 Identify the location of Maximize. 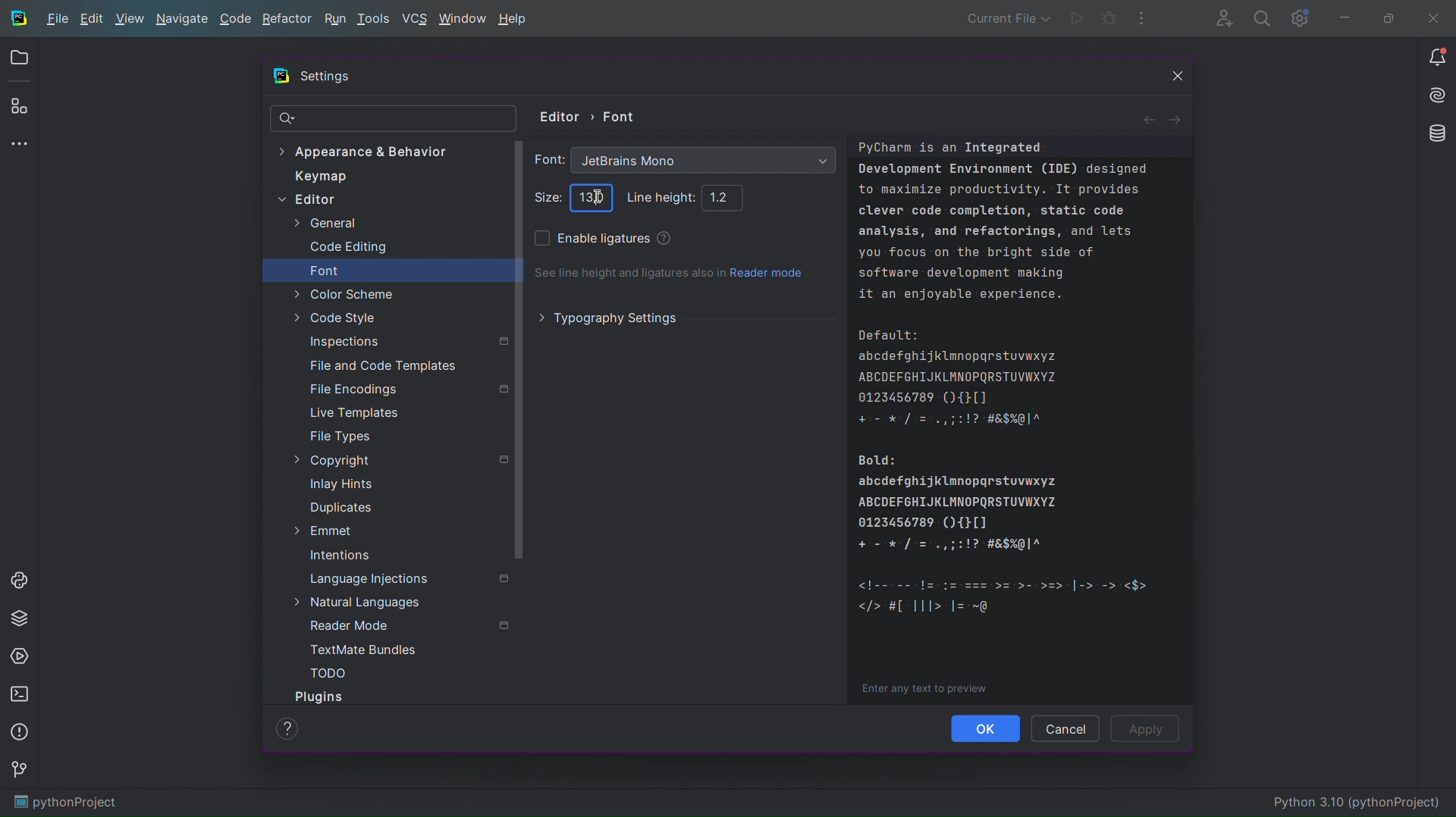
(1385, 18).